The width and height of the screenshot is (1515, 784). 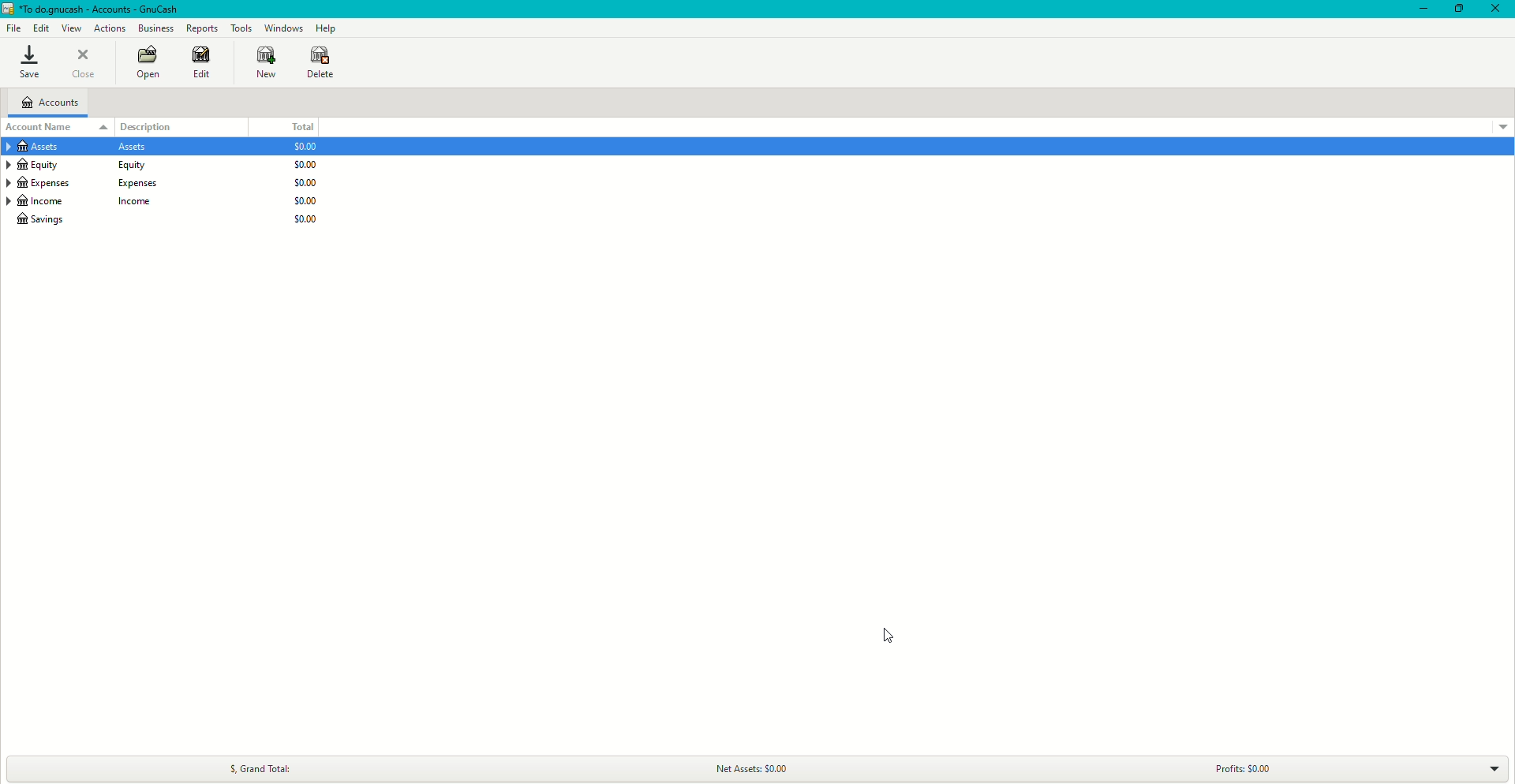 What do you see at coordinates (54, 104) in the screenshot?
I see `Accounts` at bounding box center [54, 104].